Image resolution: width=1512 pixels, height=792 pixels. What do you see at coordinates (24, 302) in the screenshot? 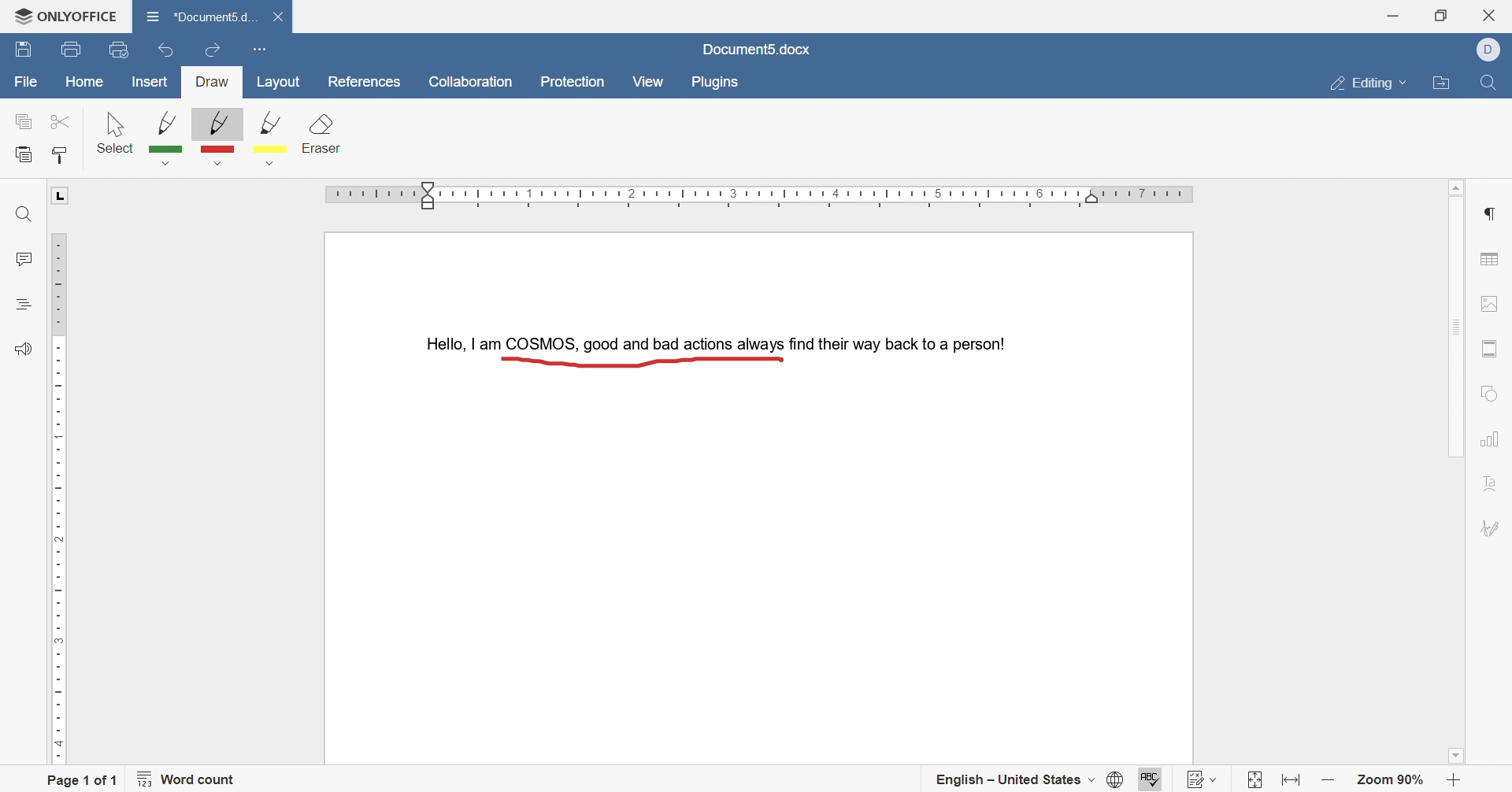
I see `headings` at bounding box center [24, 302].